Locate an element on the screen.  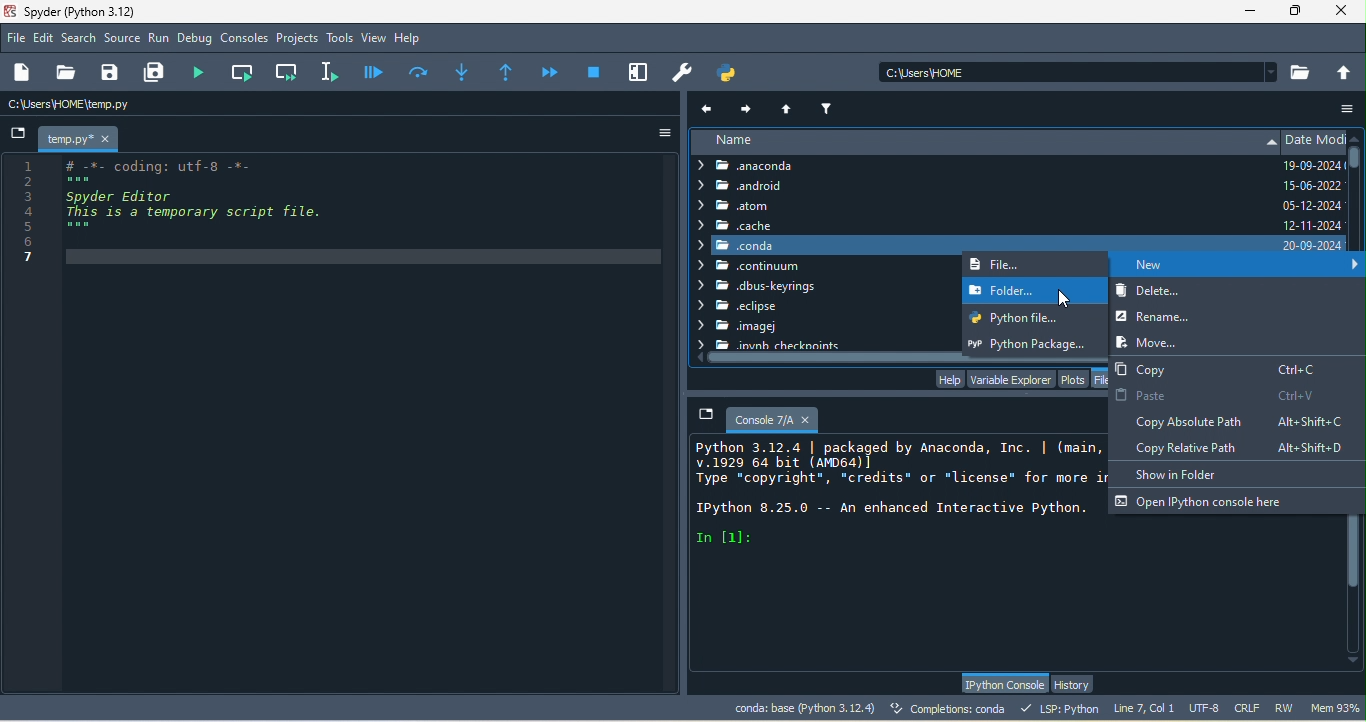
temp is located at coordinates (80, 139).